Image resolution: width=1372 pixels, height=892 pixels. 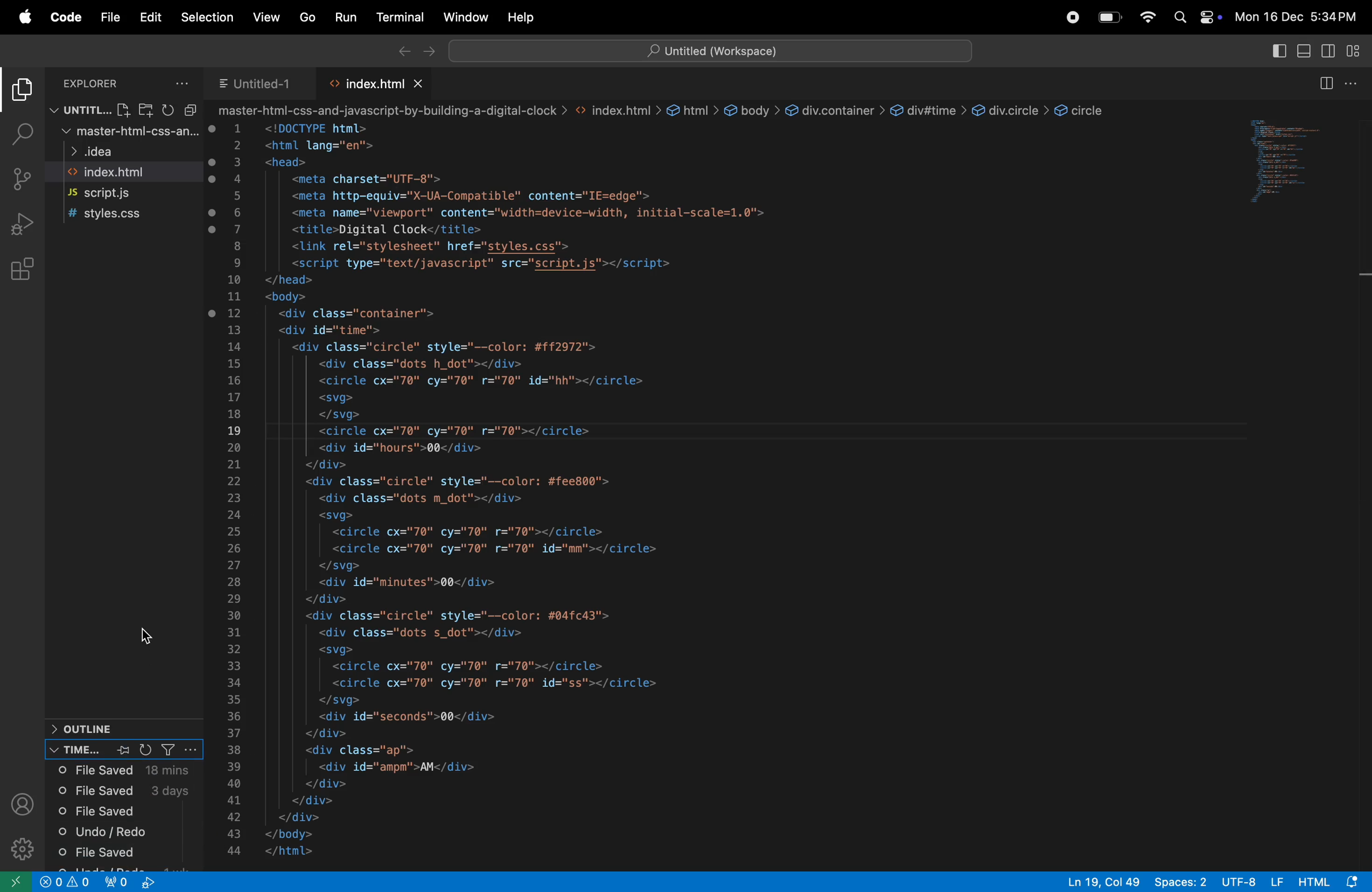 What do you see at coordinates (21, 848) in the screenshot?
I see `settings` at bounding box center [21, 848].